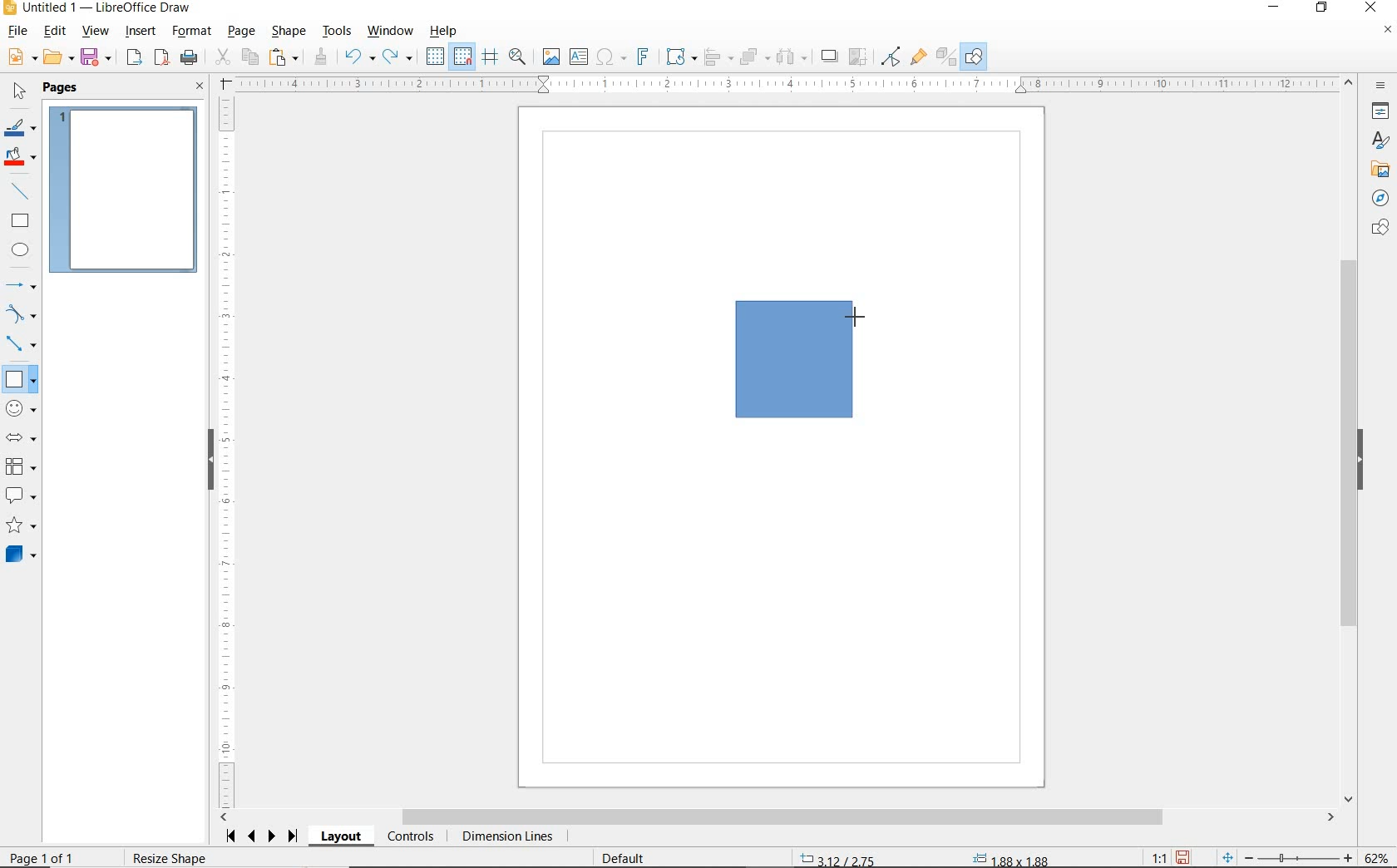 This screenshot has width=1397, height=868. I want to click on CLOSE, so click(200, 87).